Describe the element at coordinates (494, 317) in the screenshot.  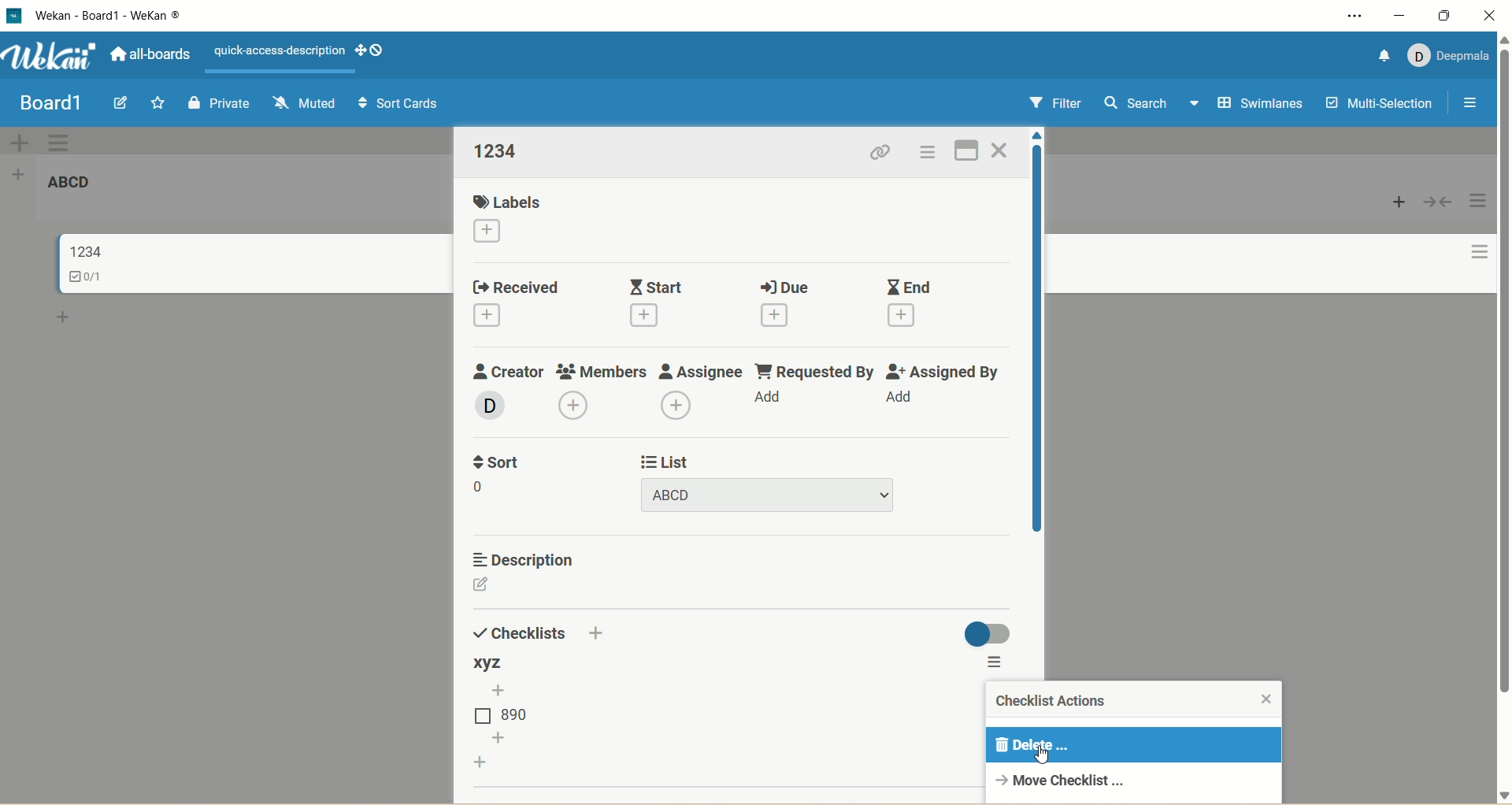
I see `add` at that location.